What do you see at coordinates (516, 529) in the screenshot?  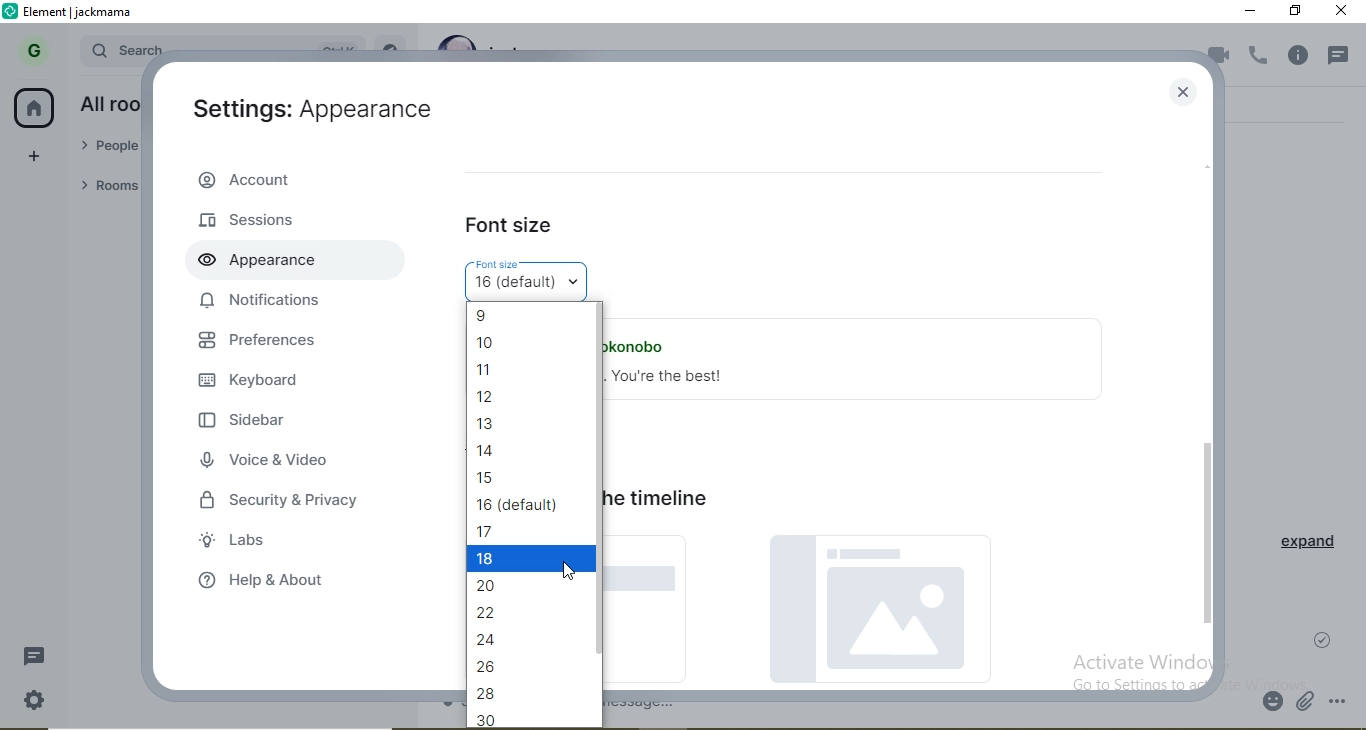 I see `17` at bounding box center [516, 529].